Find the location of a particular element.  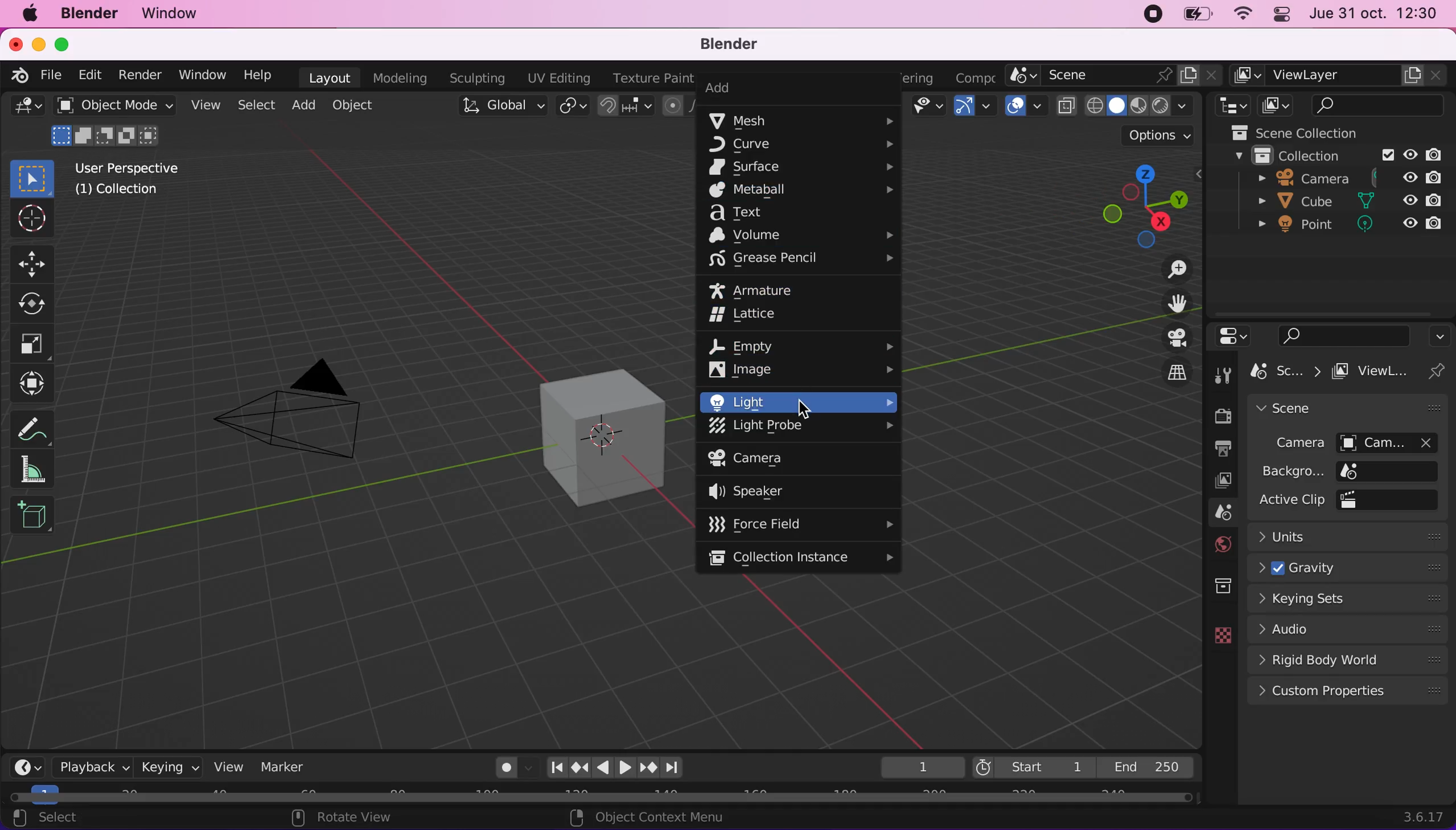

recording stopped is located at coordinates (1155, 15).